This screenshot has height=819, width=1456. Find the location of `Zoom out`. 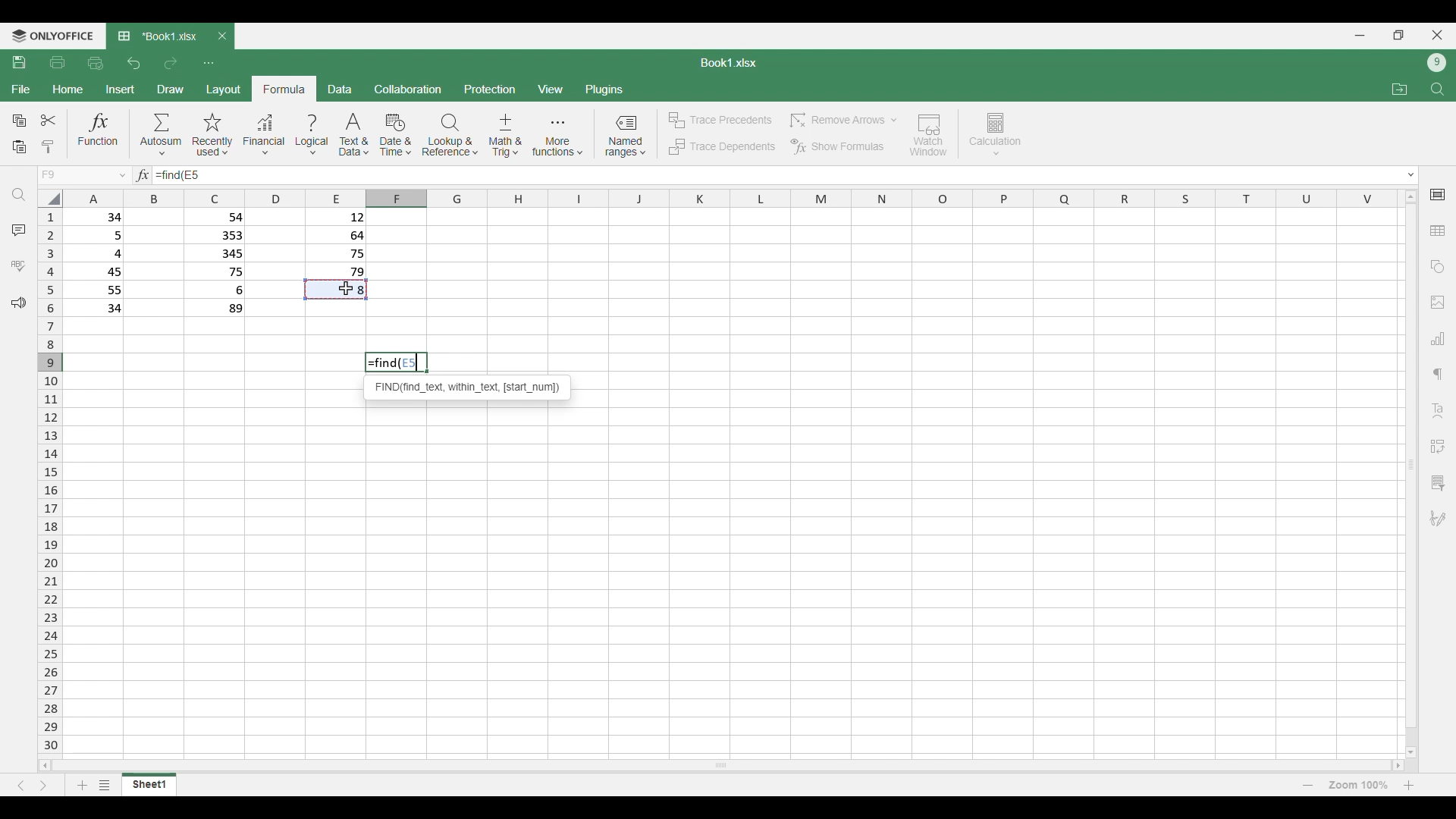

Zoom out is located at coordinates (1308, 785).